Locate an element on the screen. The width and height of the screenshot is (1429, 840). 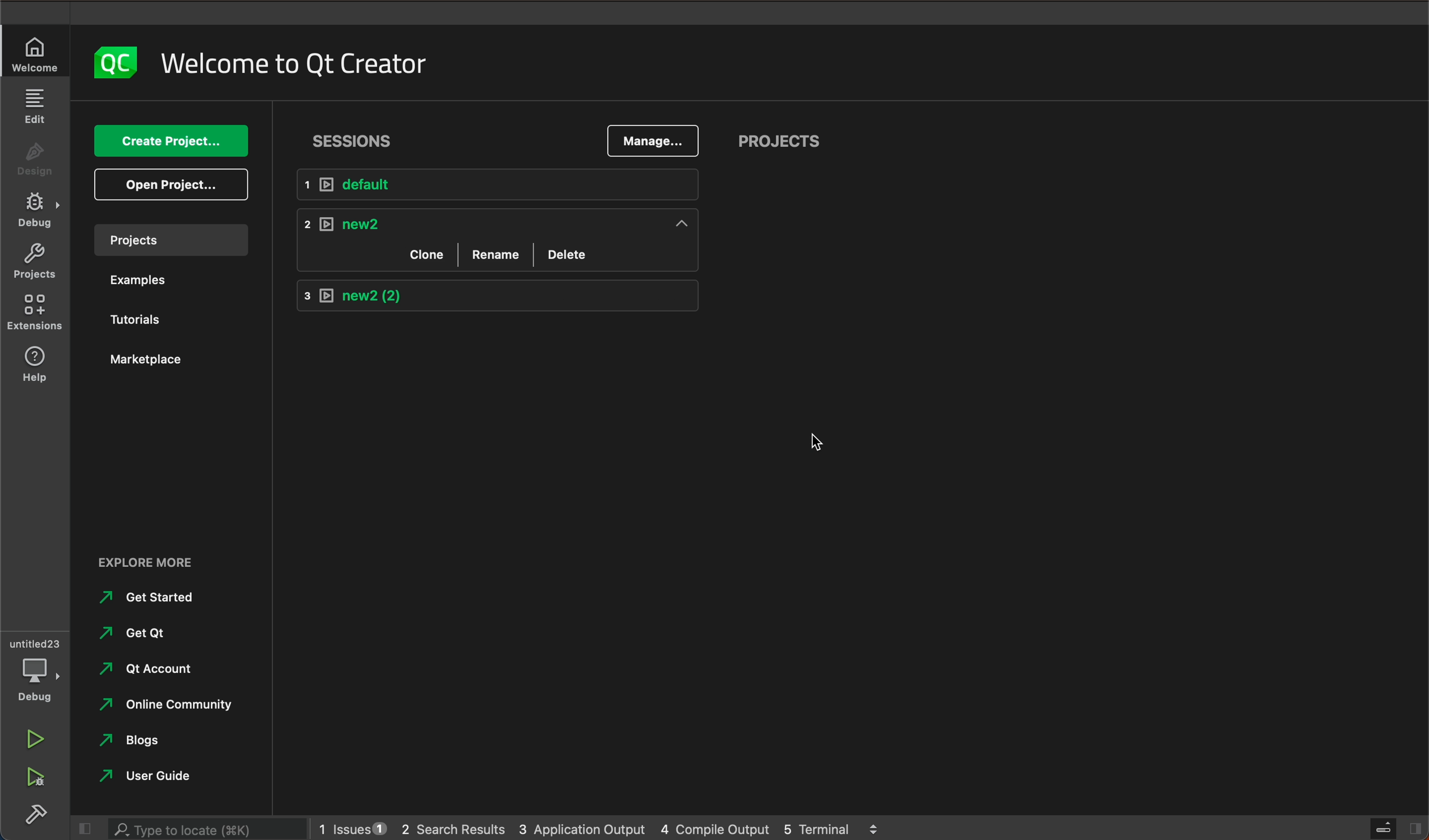
project is located at coordinates (168, 238).